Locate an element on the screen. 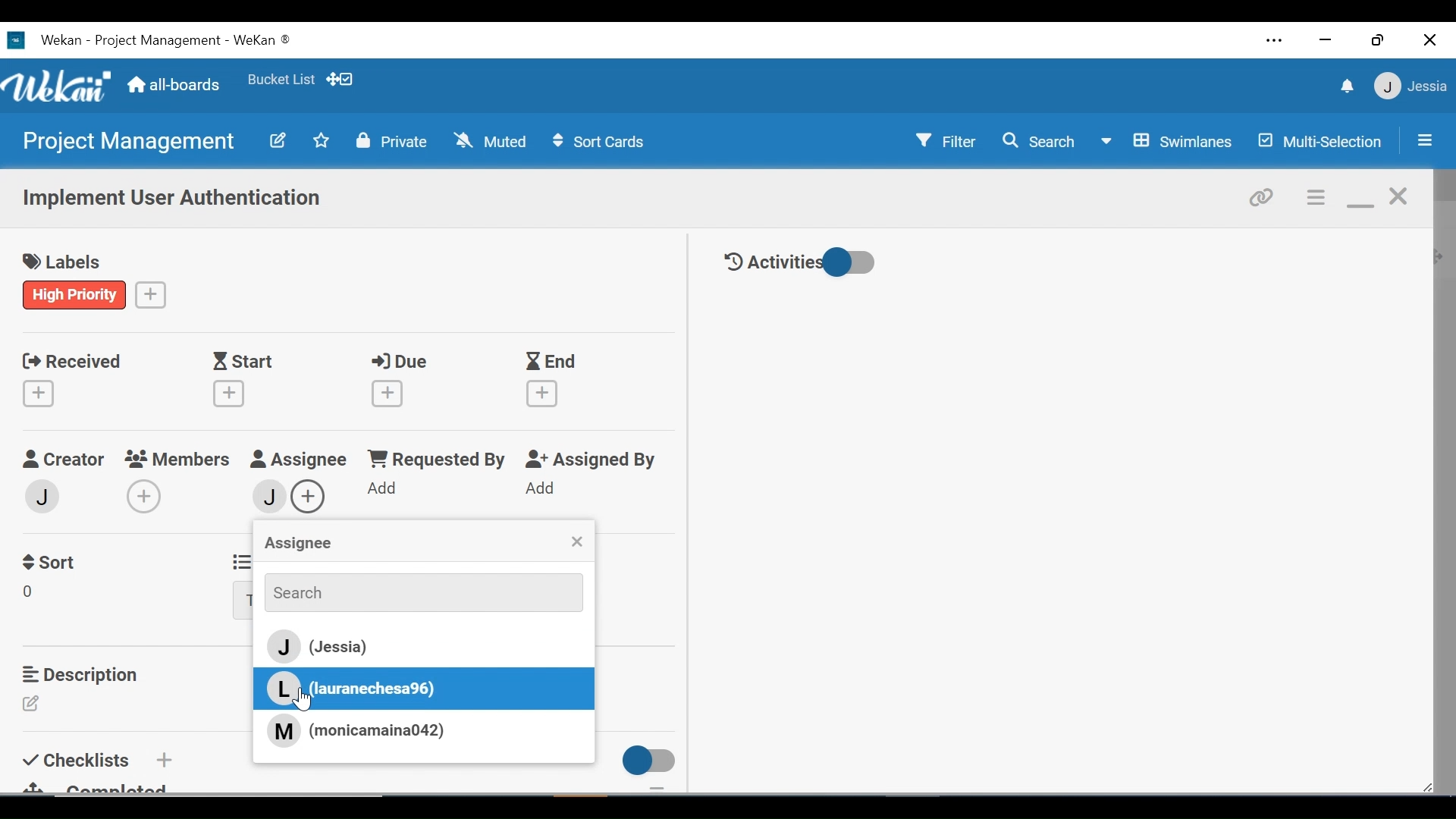 This screenshot has height=819, width=1456. Show Desktop drag handles is located at coordinates (342, 79).